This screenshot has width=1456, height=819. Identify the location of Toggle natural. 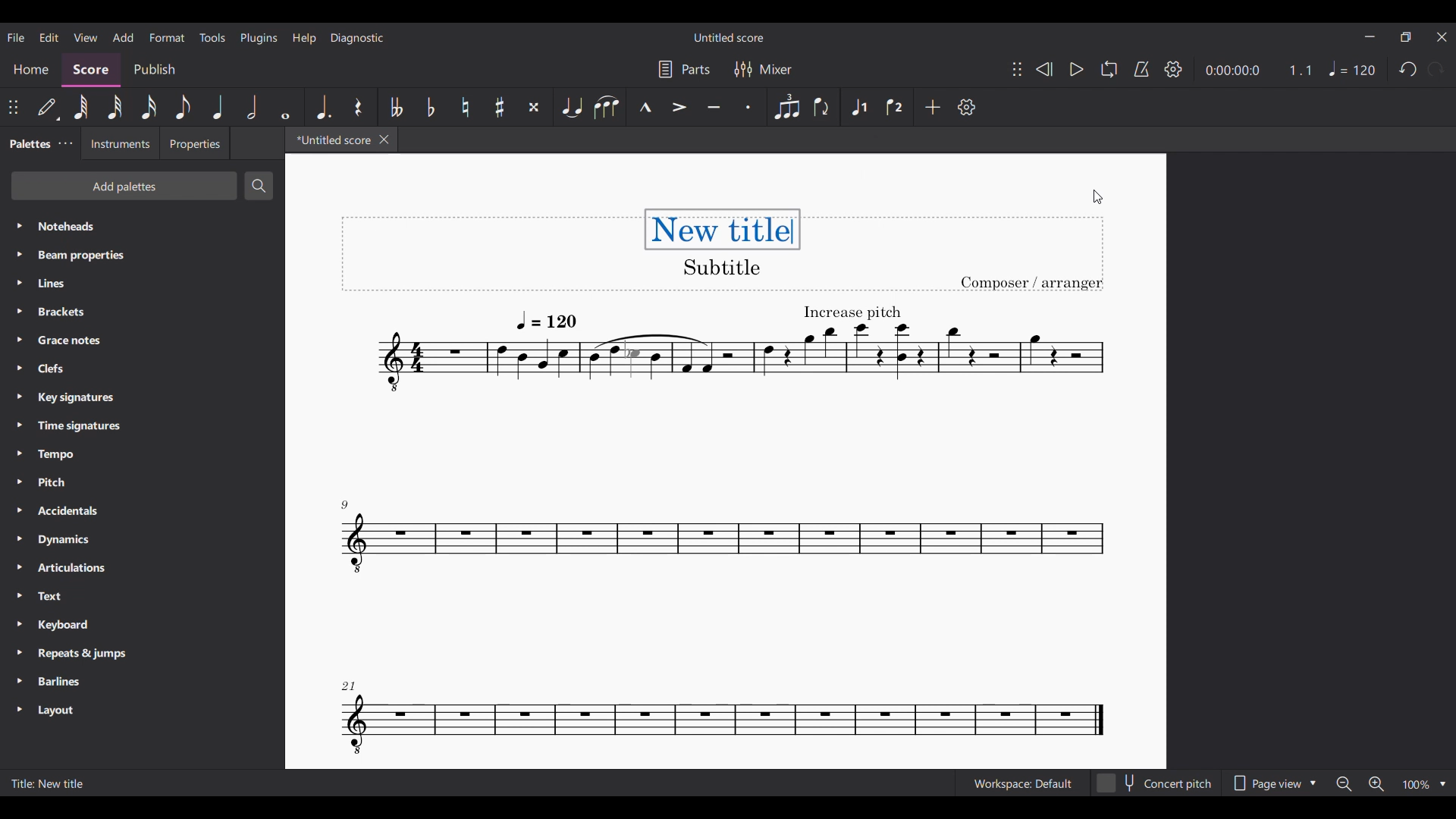
(465, 107).